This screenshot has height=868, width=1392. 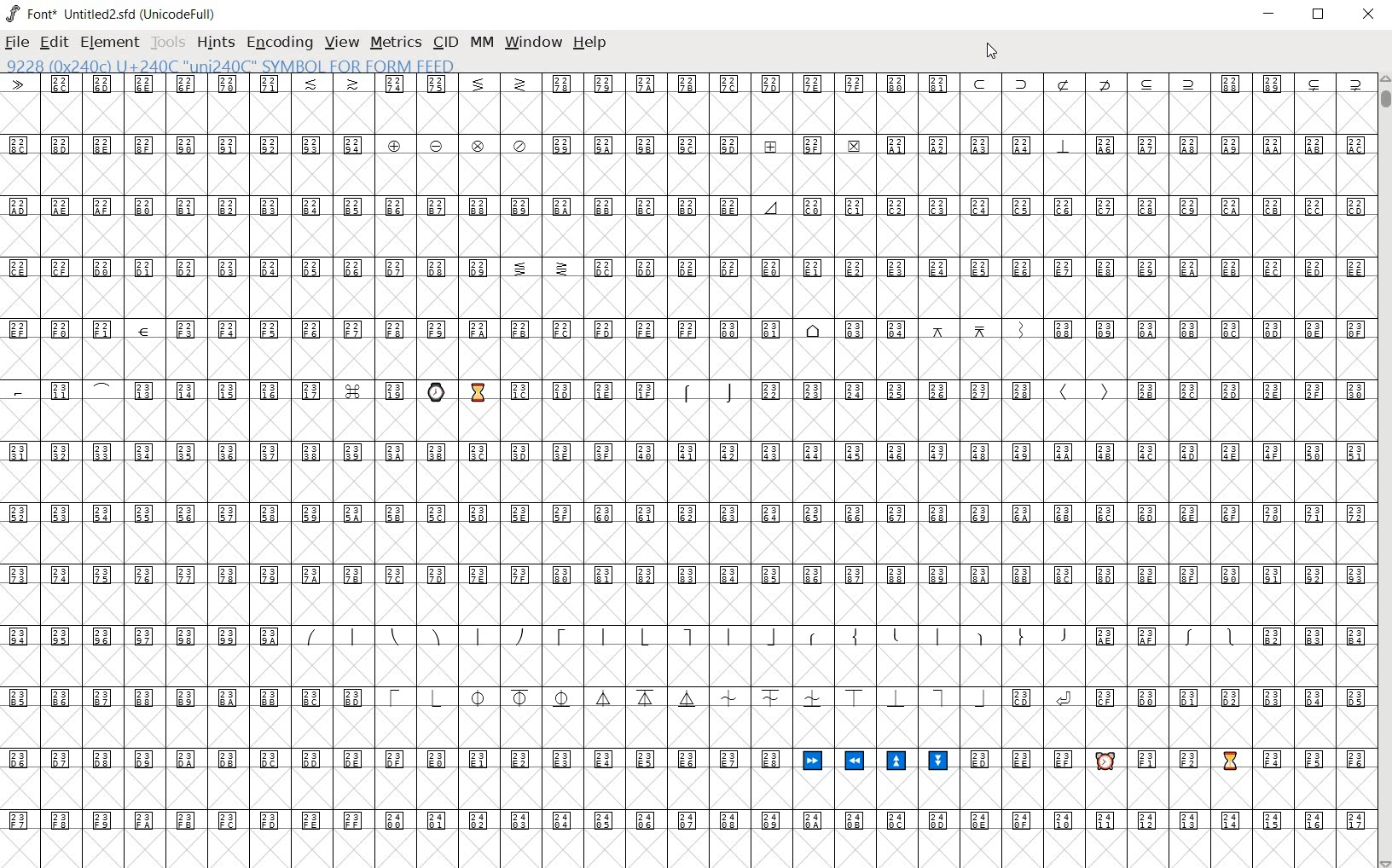 I want to click on Element, so click(x=110, y=43).